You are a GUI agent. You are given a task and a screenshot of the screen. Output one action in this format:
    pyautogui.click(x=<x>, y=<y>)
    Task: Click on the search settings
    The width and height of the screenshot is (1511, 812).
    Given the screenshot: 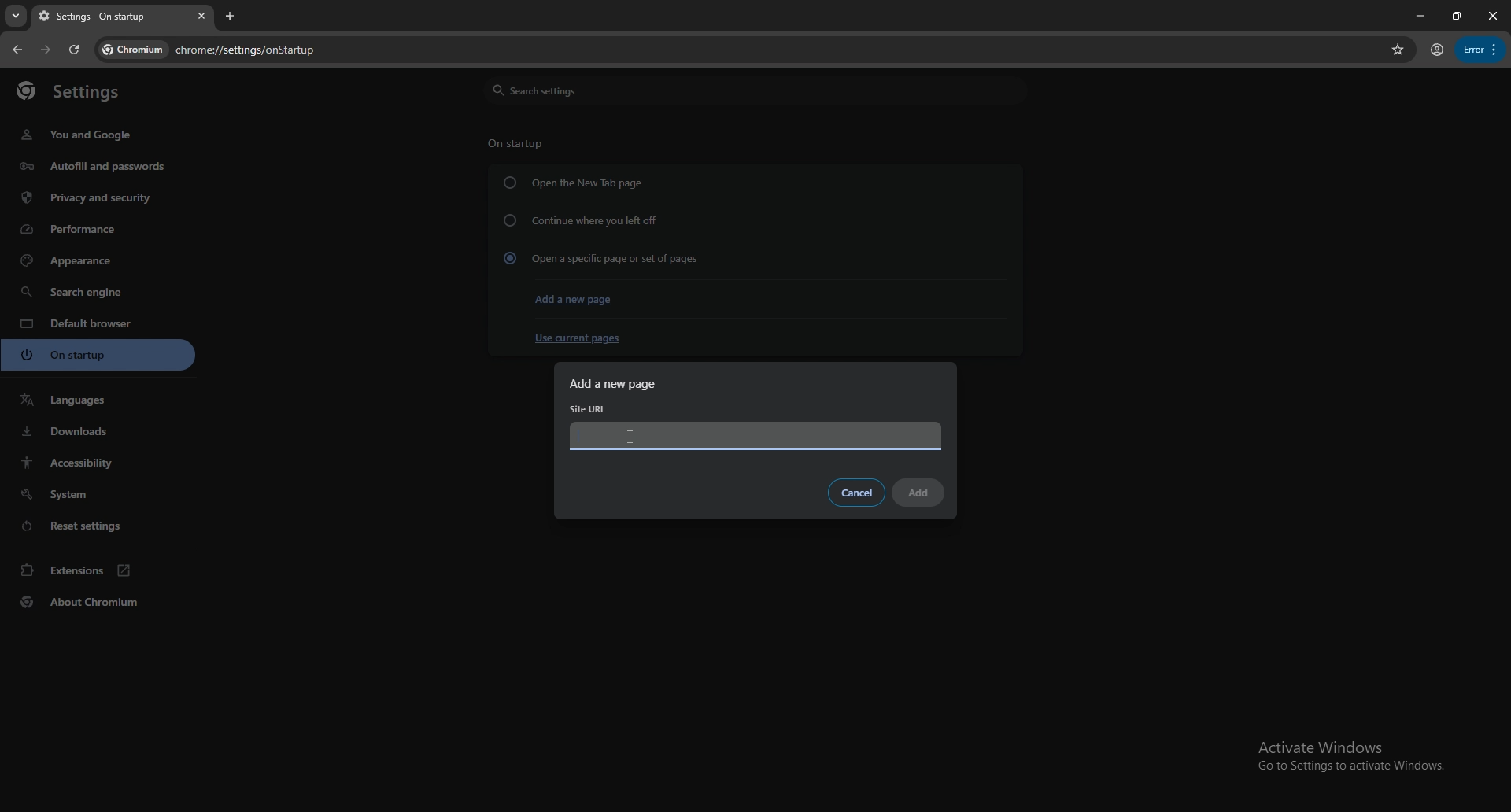 What is the action you would take?
    pyautogui.click(x=753, y=90)
    